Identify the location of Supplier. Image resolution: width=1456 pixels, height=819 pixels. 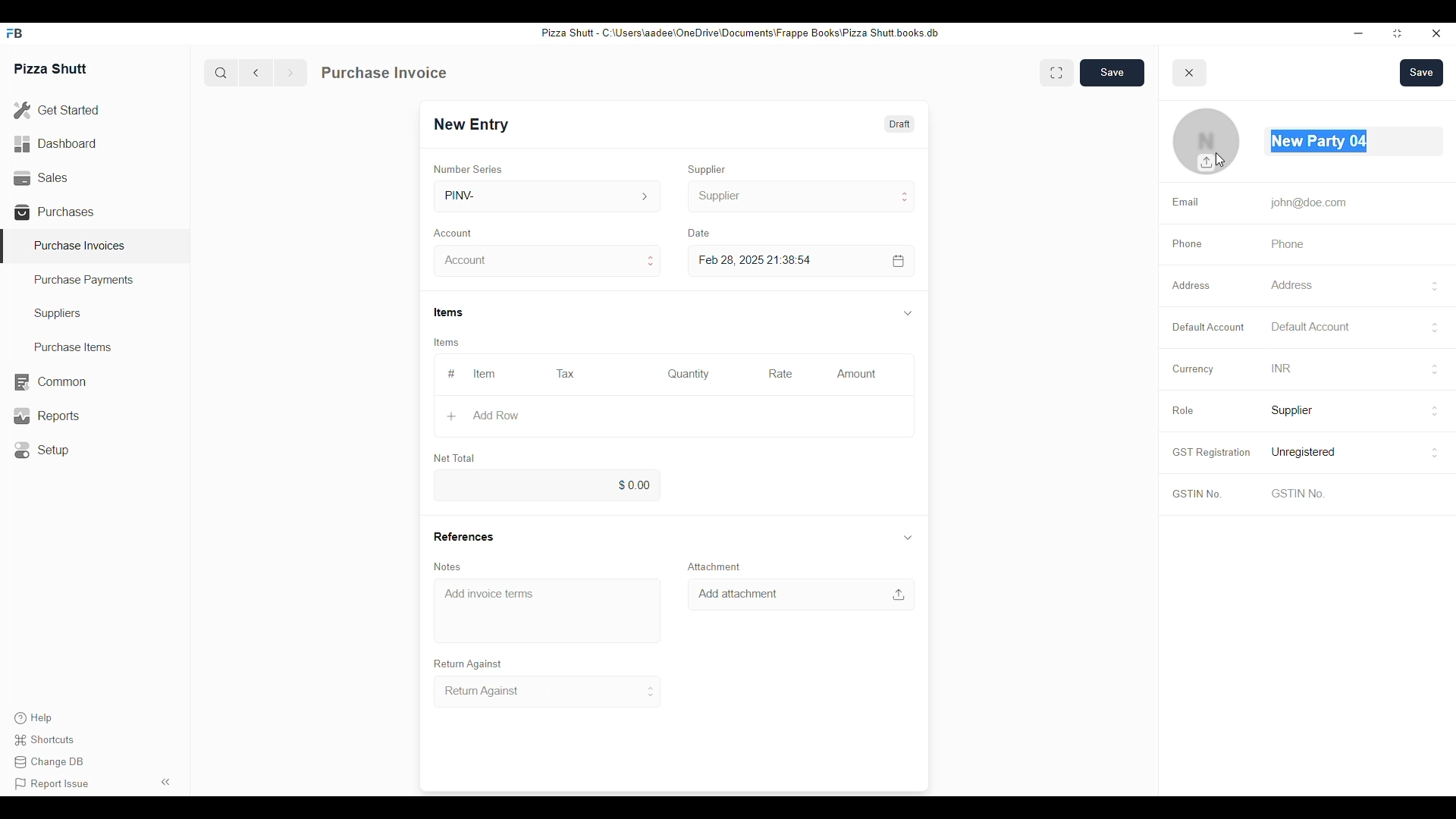
(708, 169).